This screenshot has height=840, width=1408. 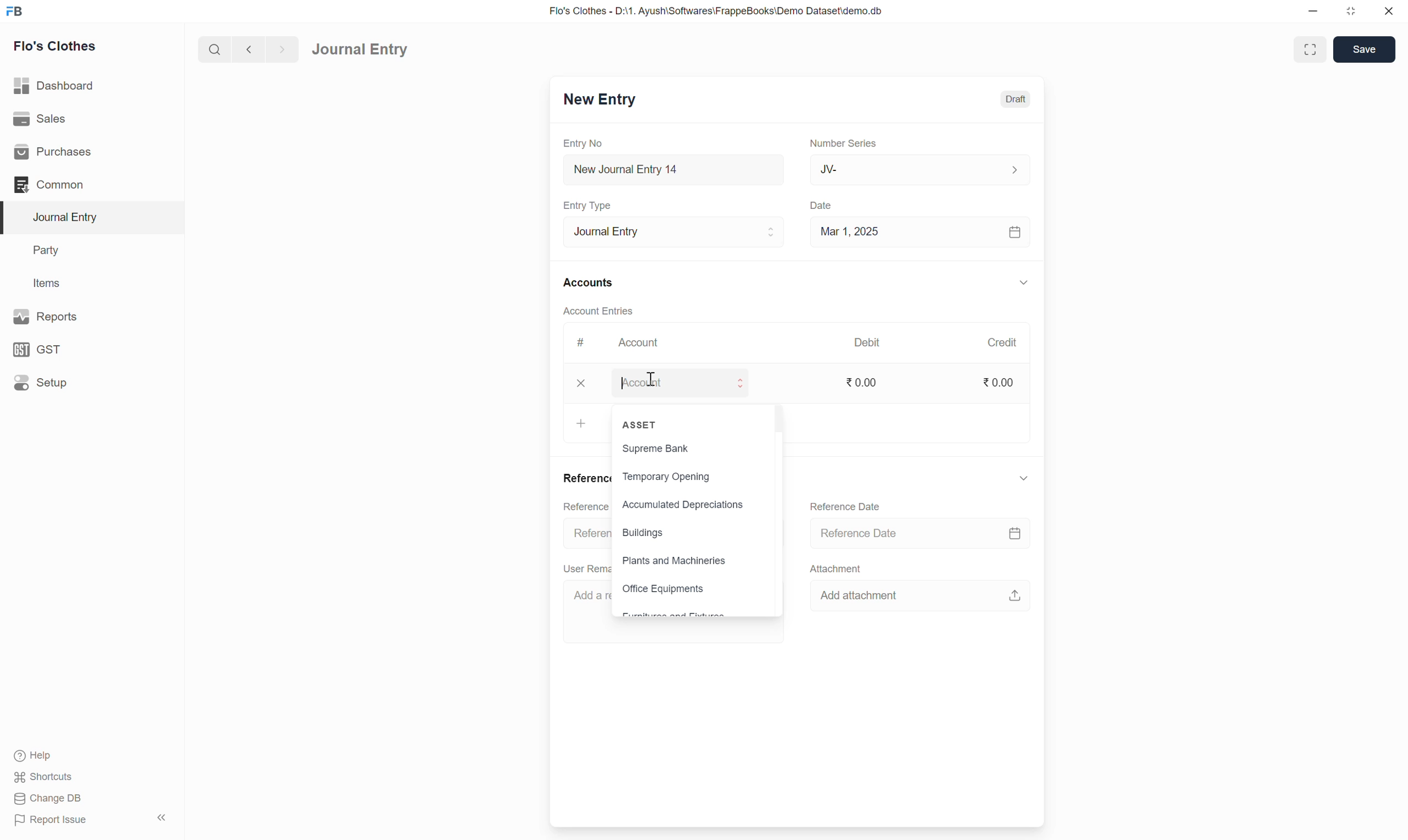 I want to click on New Entry, so click(x=600, y=98).